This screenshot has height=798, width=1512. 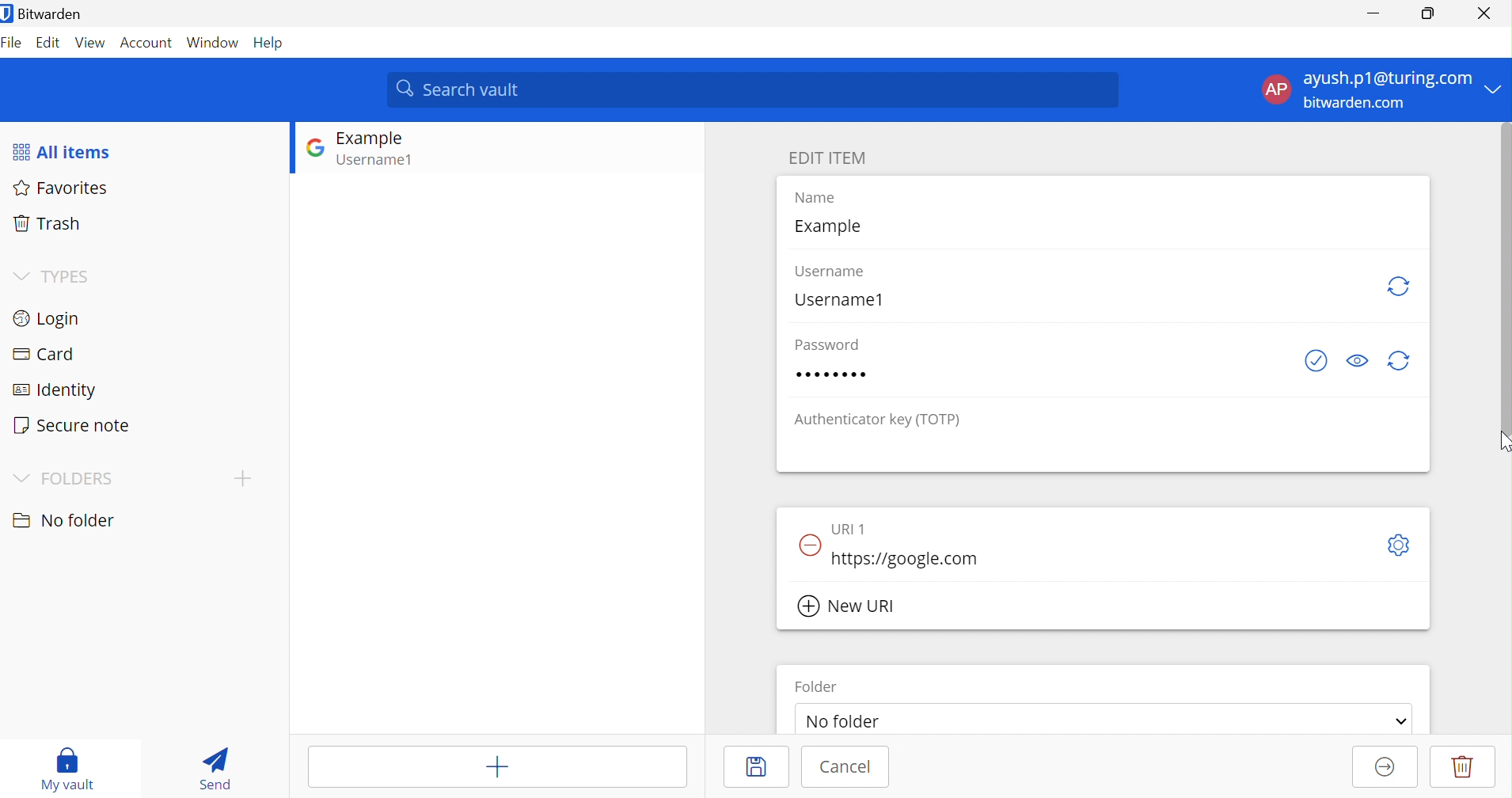 I want to click on , so click(x=51, y=223).